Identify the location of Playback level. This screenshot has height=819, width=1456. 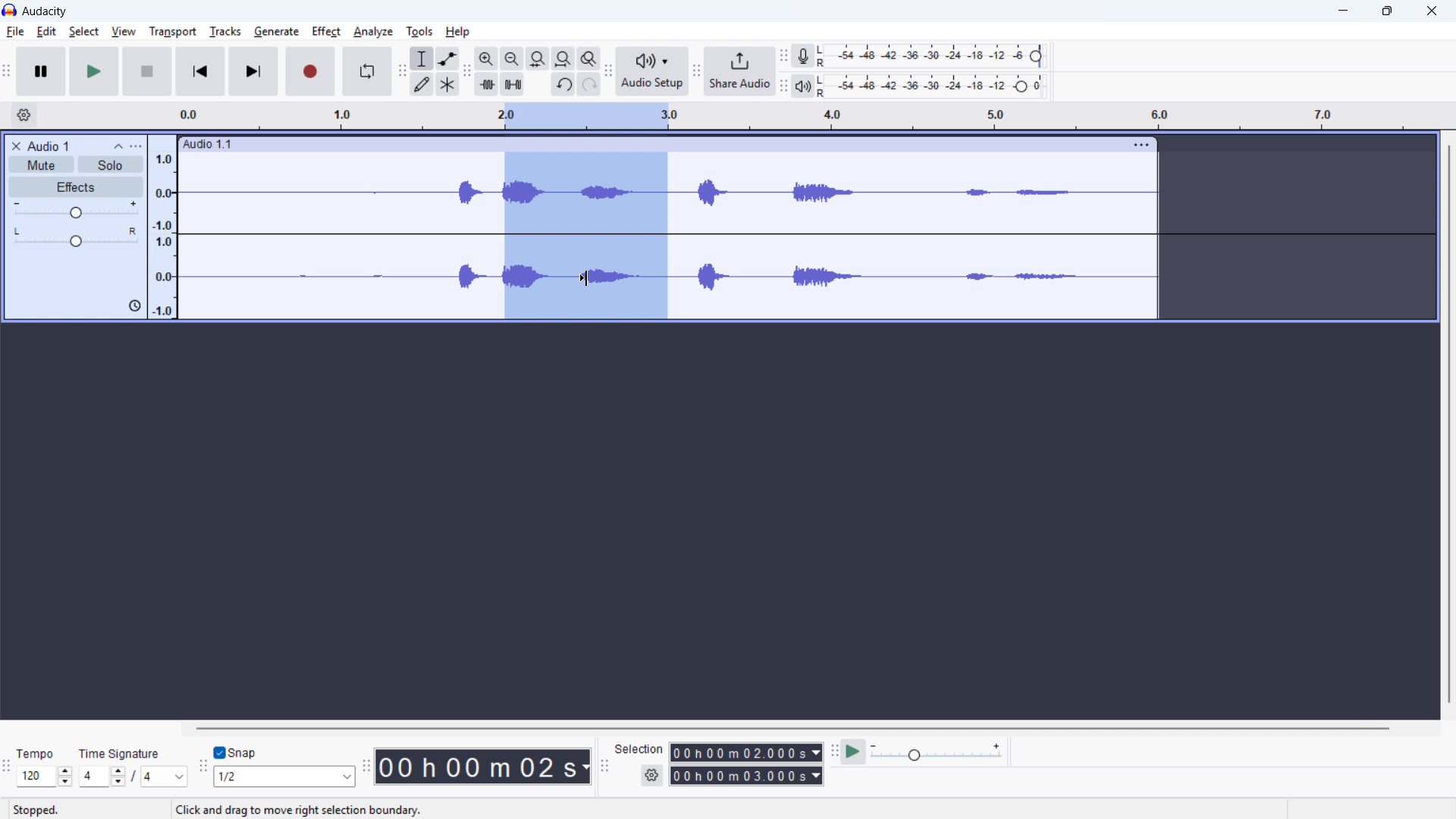
(935, 85).